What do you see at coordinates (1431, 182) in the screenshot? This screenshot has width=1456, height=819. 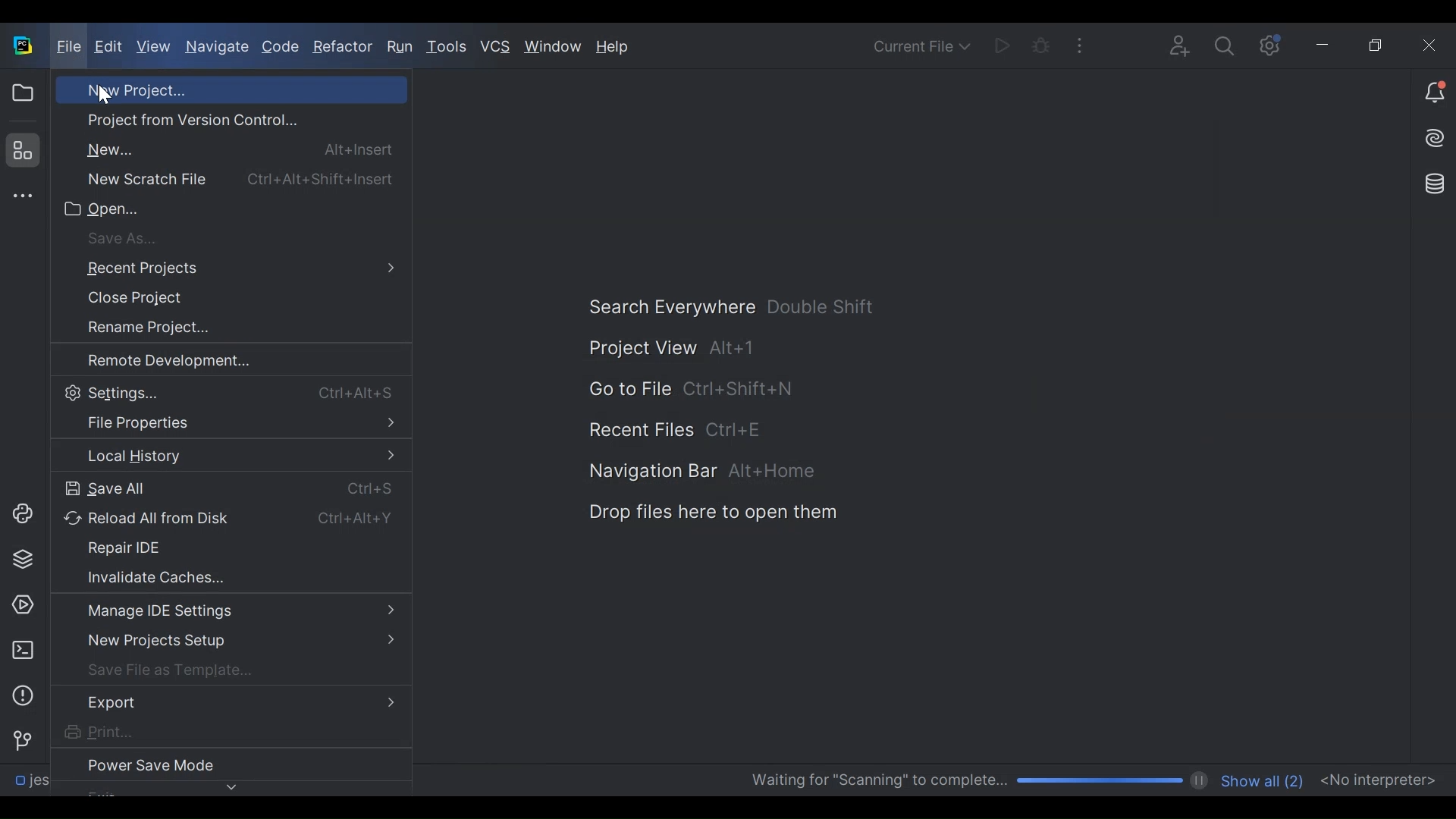 I see `Database` at bounding box center [1431, 182].